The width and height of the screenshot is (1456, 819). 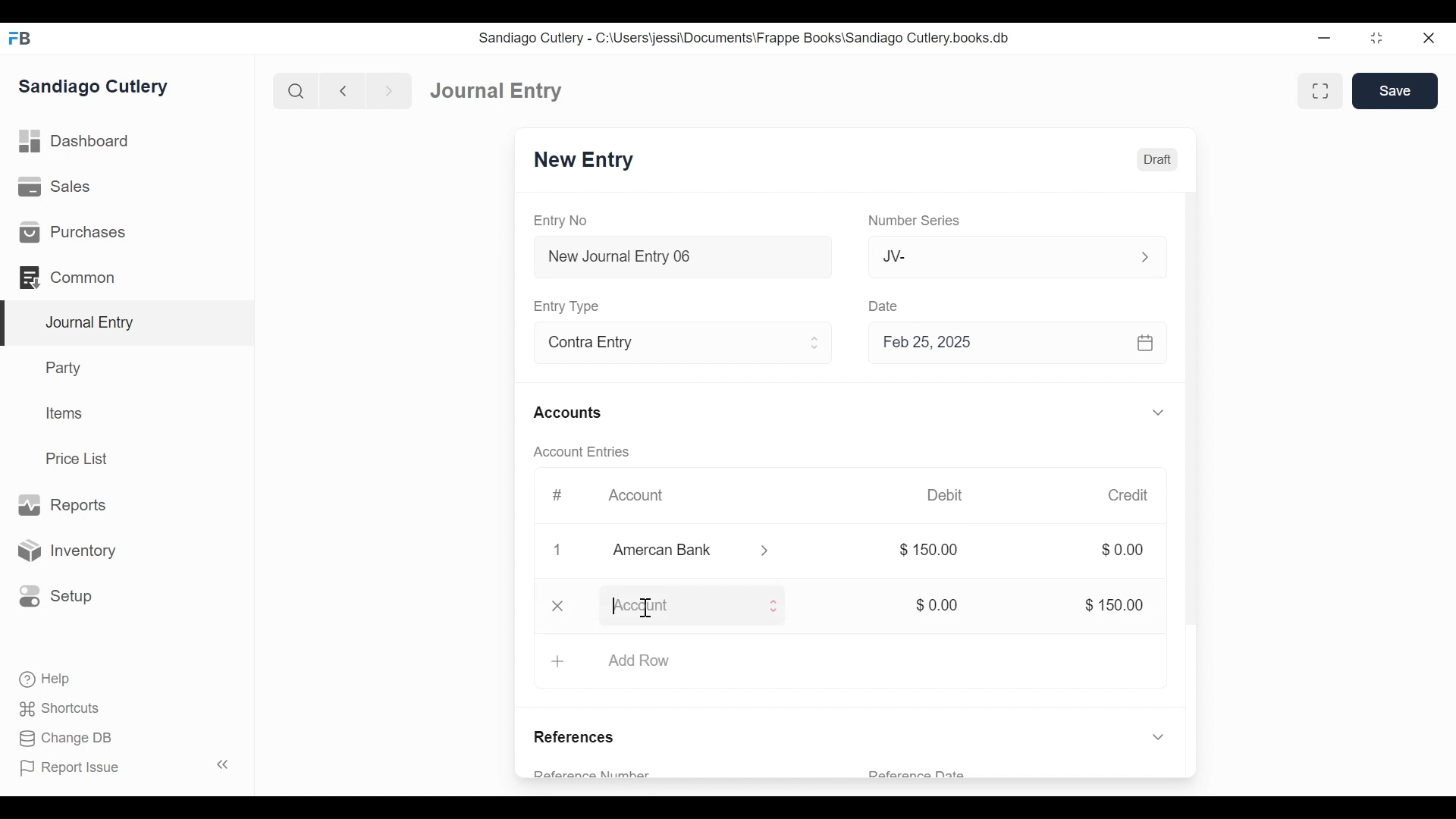 I want to click on Sandiago Cutlery, so click(x=96, y=87).